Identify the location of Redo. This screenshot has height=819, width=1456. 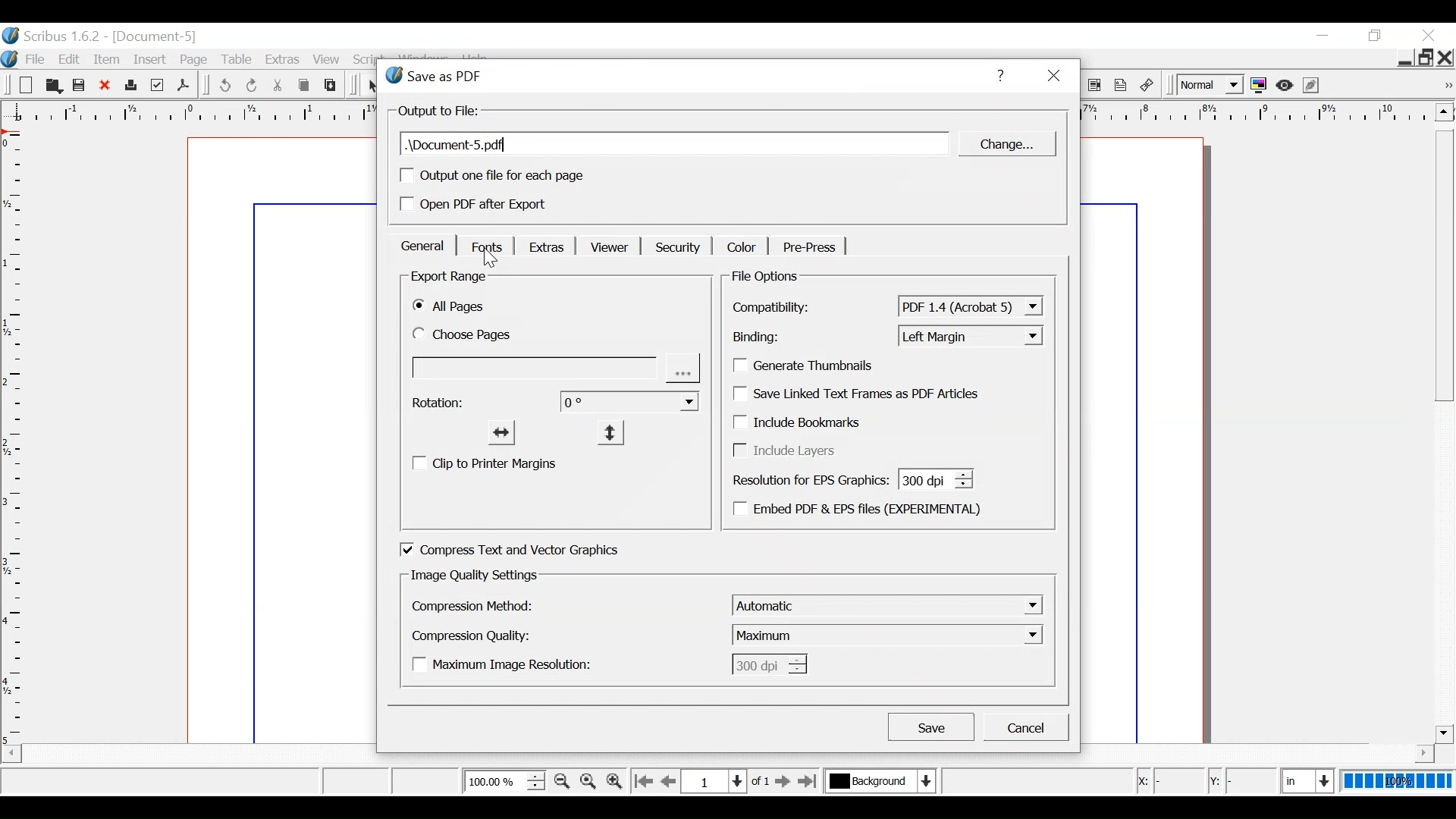
(253, 86).